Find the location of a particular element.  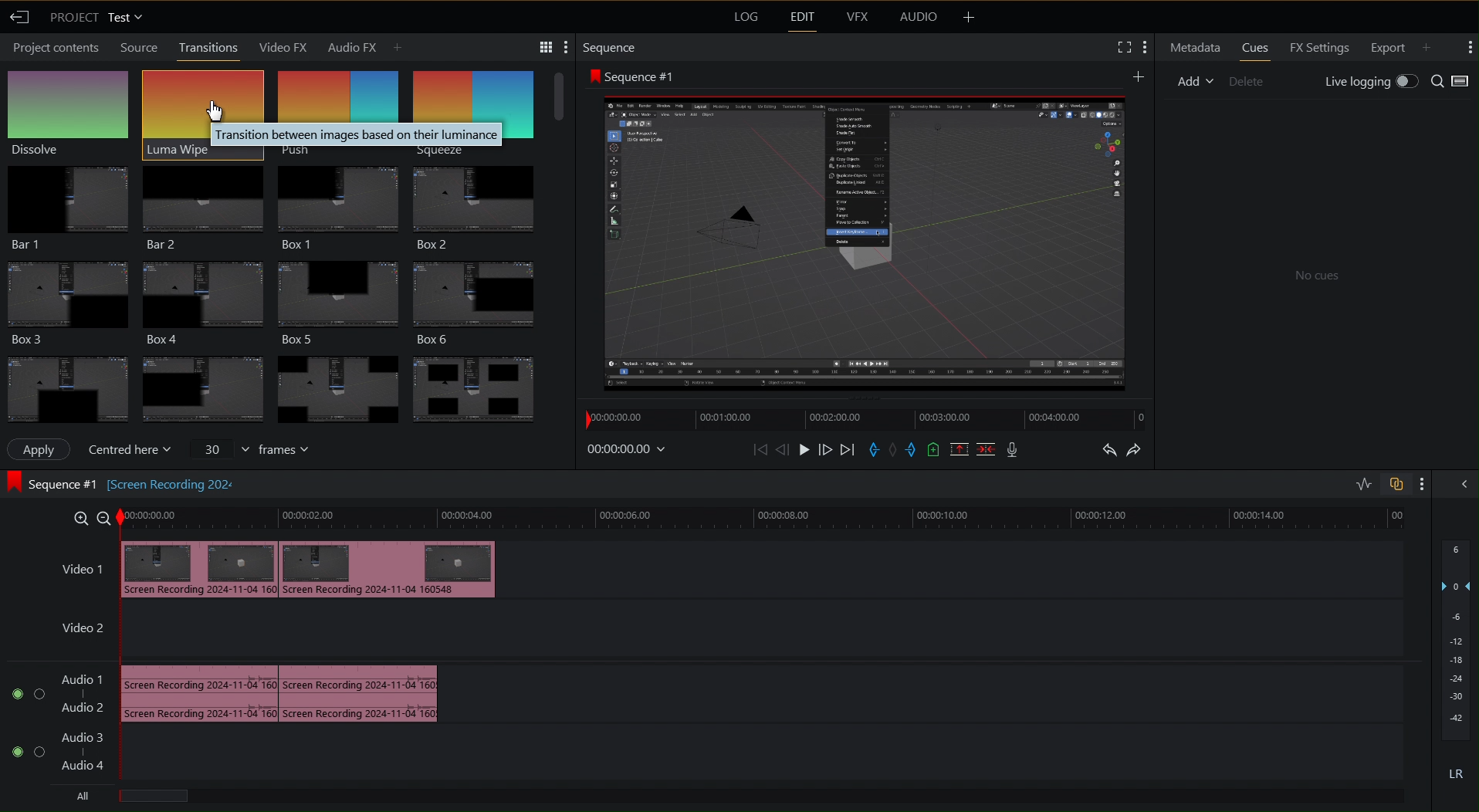

Undo is located at coordinates (1106, 449).